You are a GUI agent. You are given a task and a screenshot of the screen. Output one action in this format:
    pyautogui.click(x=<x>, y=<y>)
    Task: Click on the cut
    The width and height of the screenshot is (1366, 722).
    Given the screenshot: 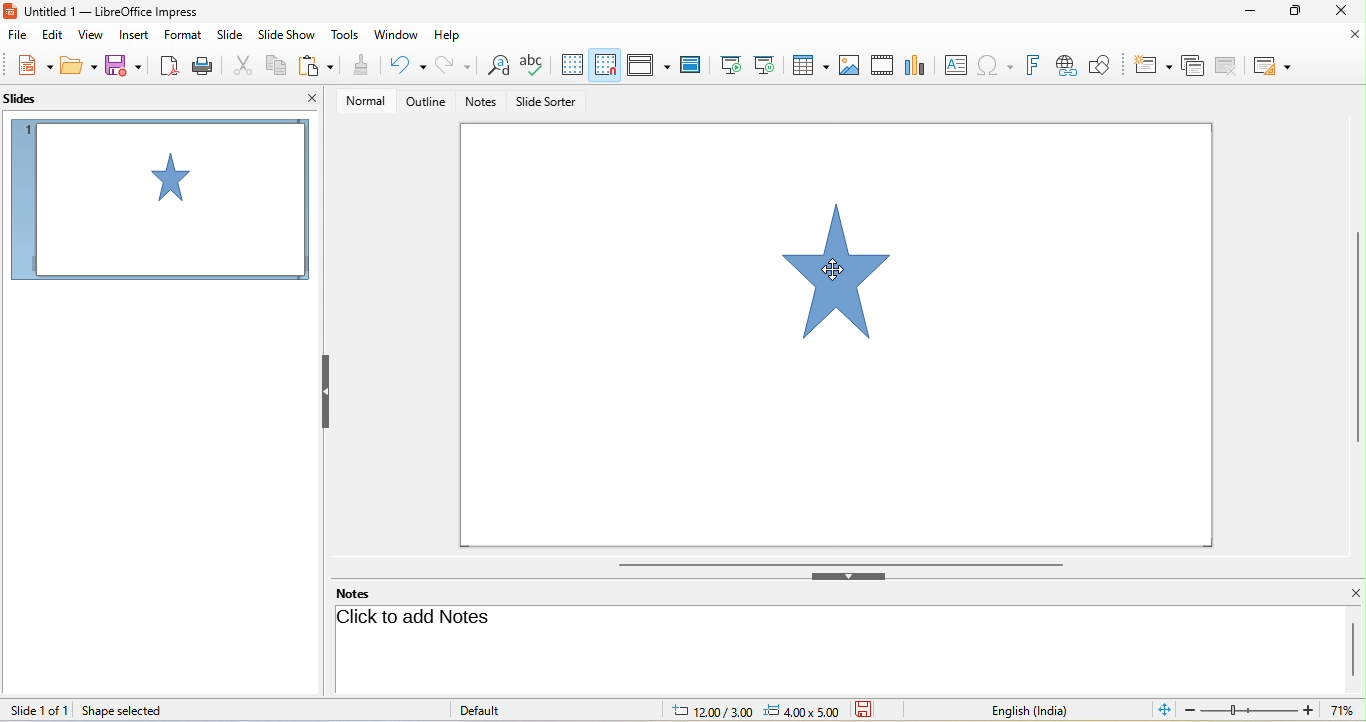 What is the action you would take?
    pyautogui.click(x=244, y=65)
    